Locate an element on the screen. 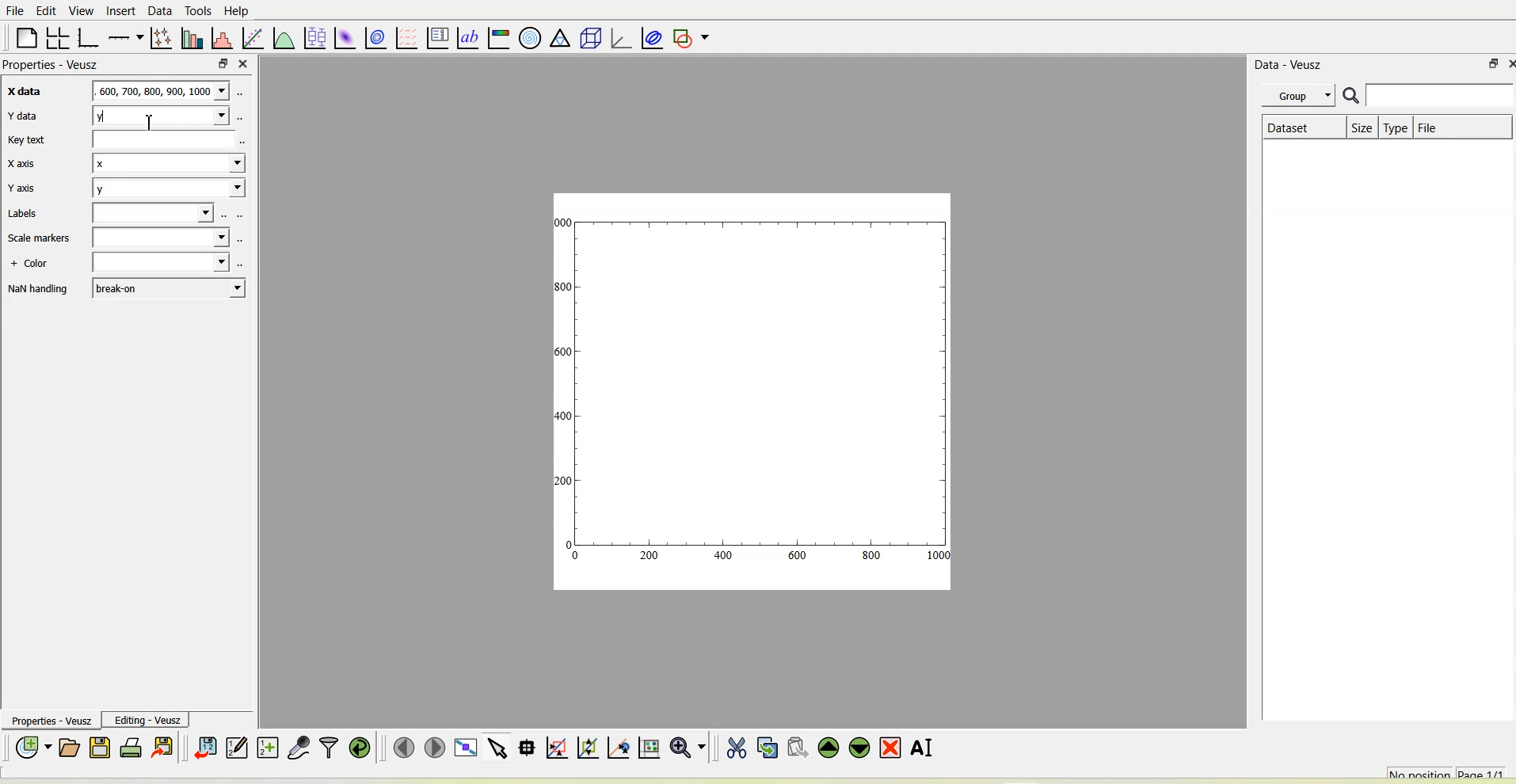  1000 is located at coordinates (563, 222).